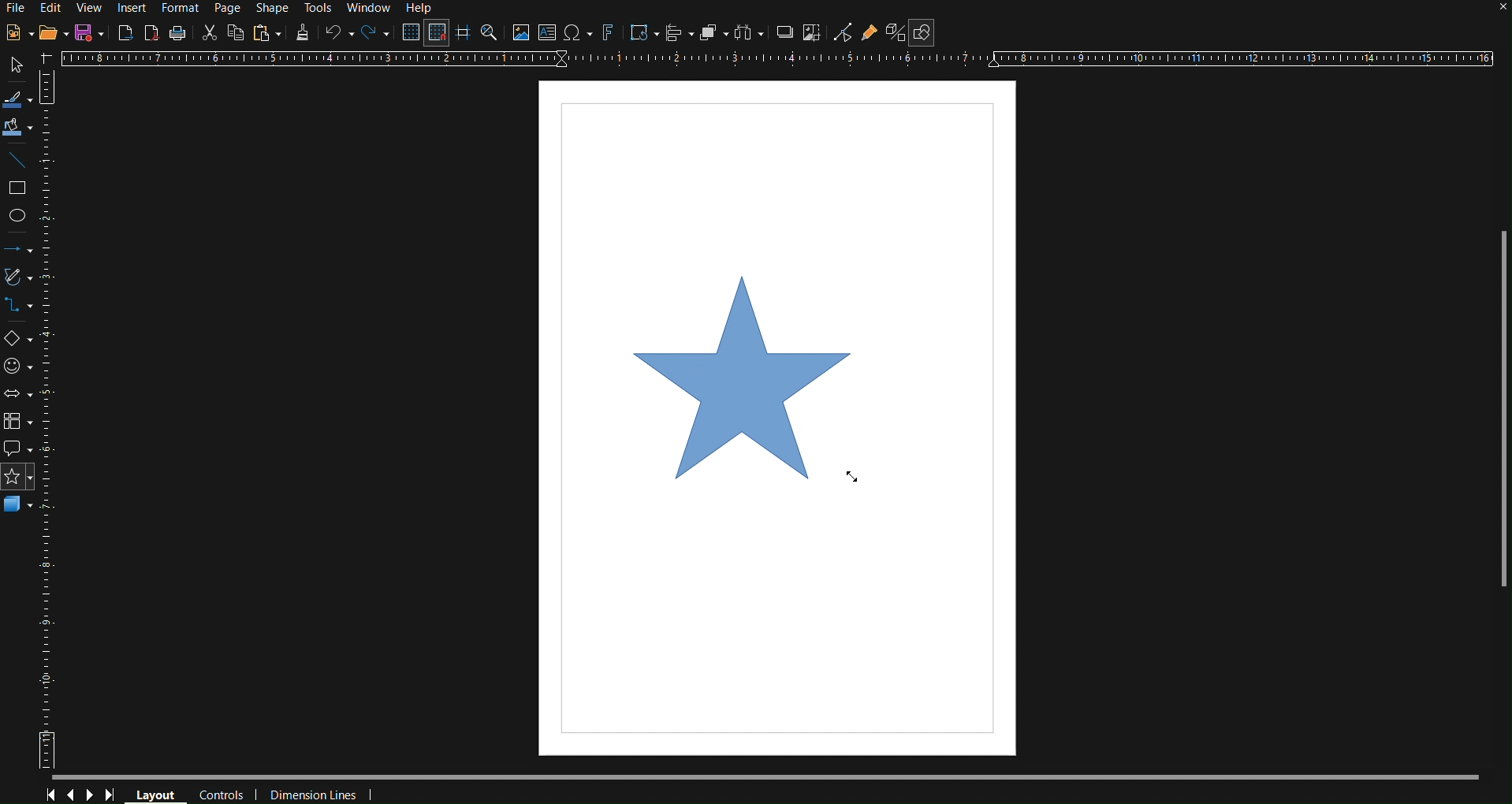  Describe the element at coordinates (20, 367) in the screenshot. I see `Symbol Shapes` at that location.